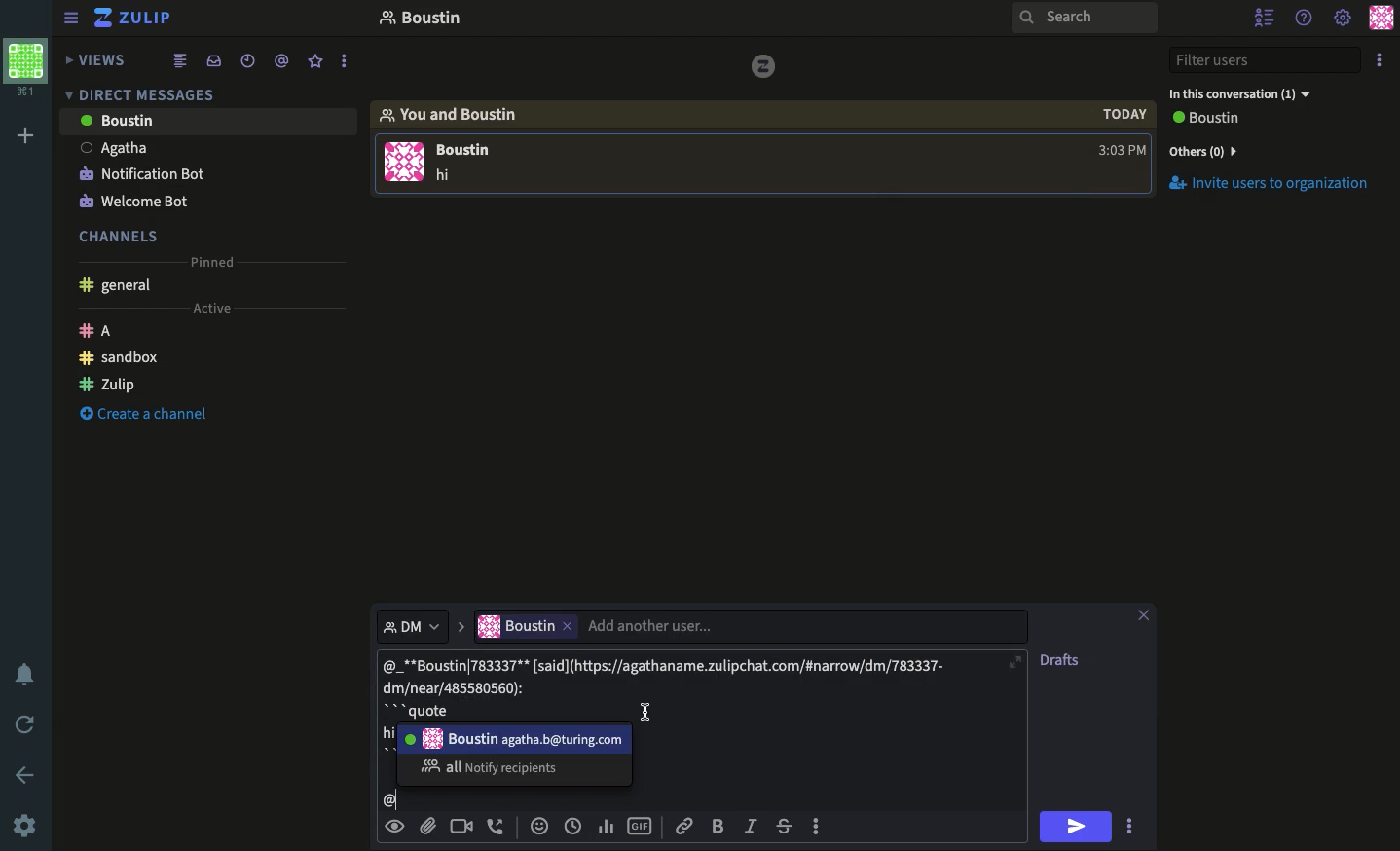 This screenshot has width=1400, height=851. I want to click on View all users, so click(1217, 120).